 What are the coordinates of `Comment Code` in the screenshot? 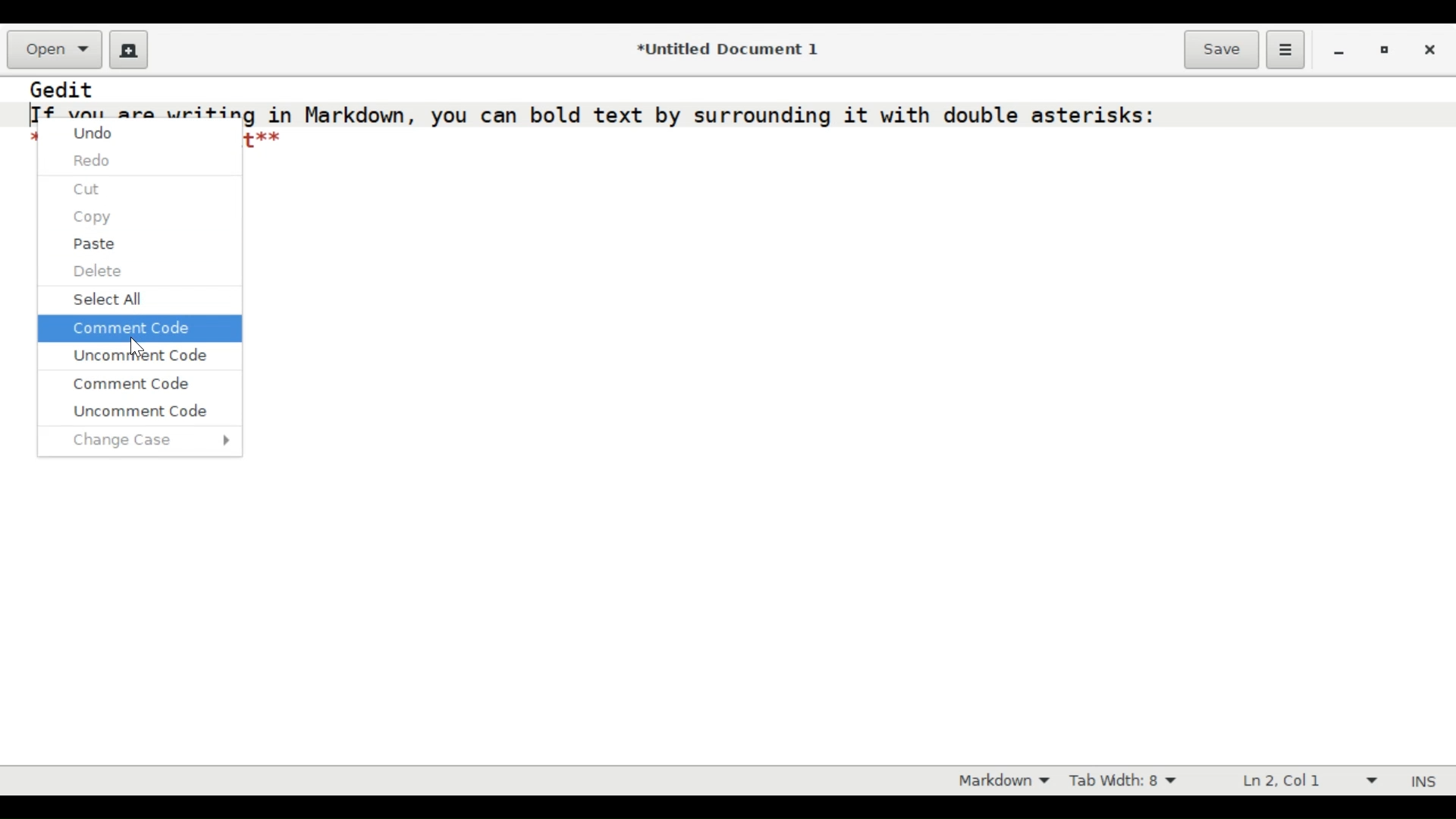 It's located at (130, 327).